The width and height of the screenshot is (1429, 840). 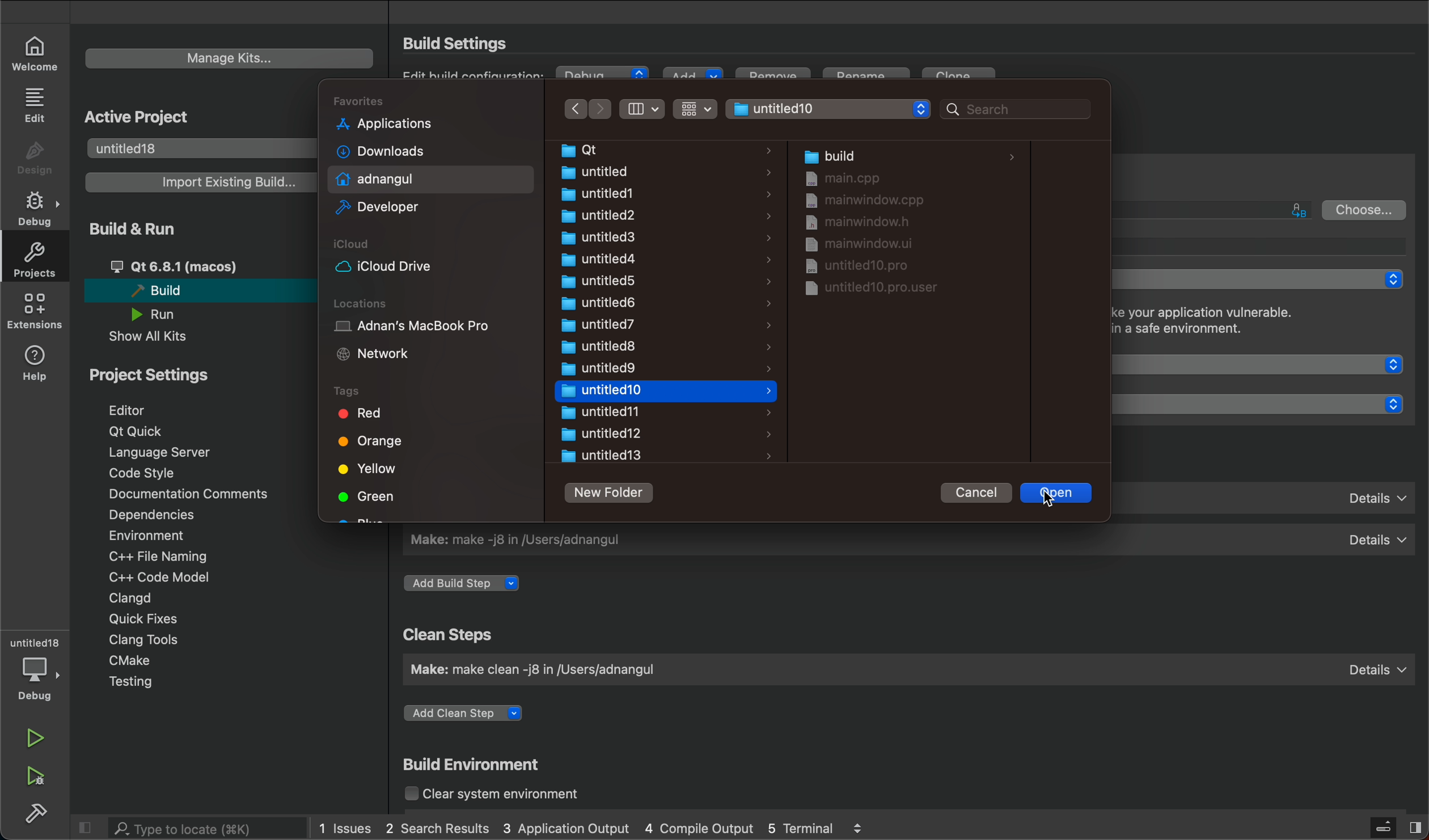 I want to click on edit, so click(x=34, y=105).